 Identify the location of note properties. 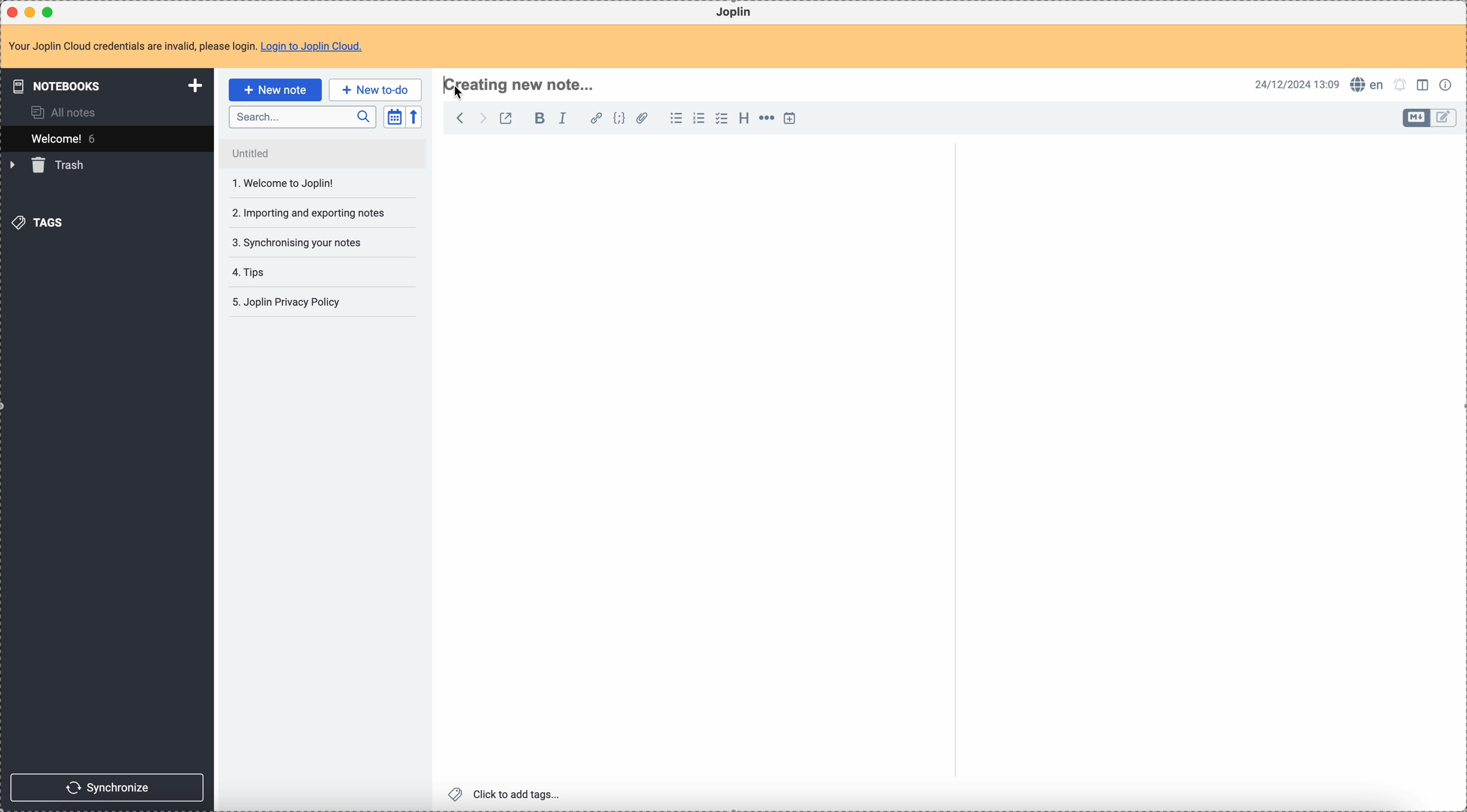
(1448, 84).